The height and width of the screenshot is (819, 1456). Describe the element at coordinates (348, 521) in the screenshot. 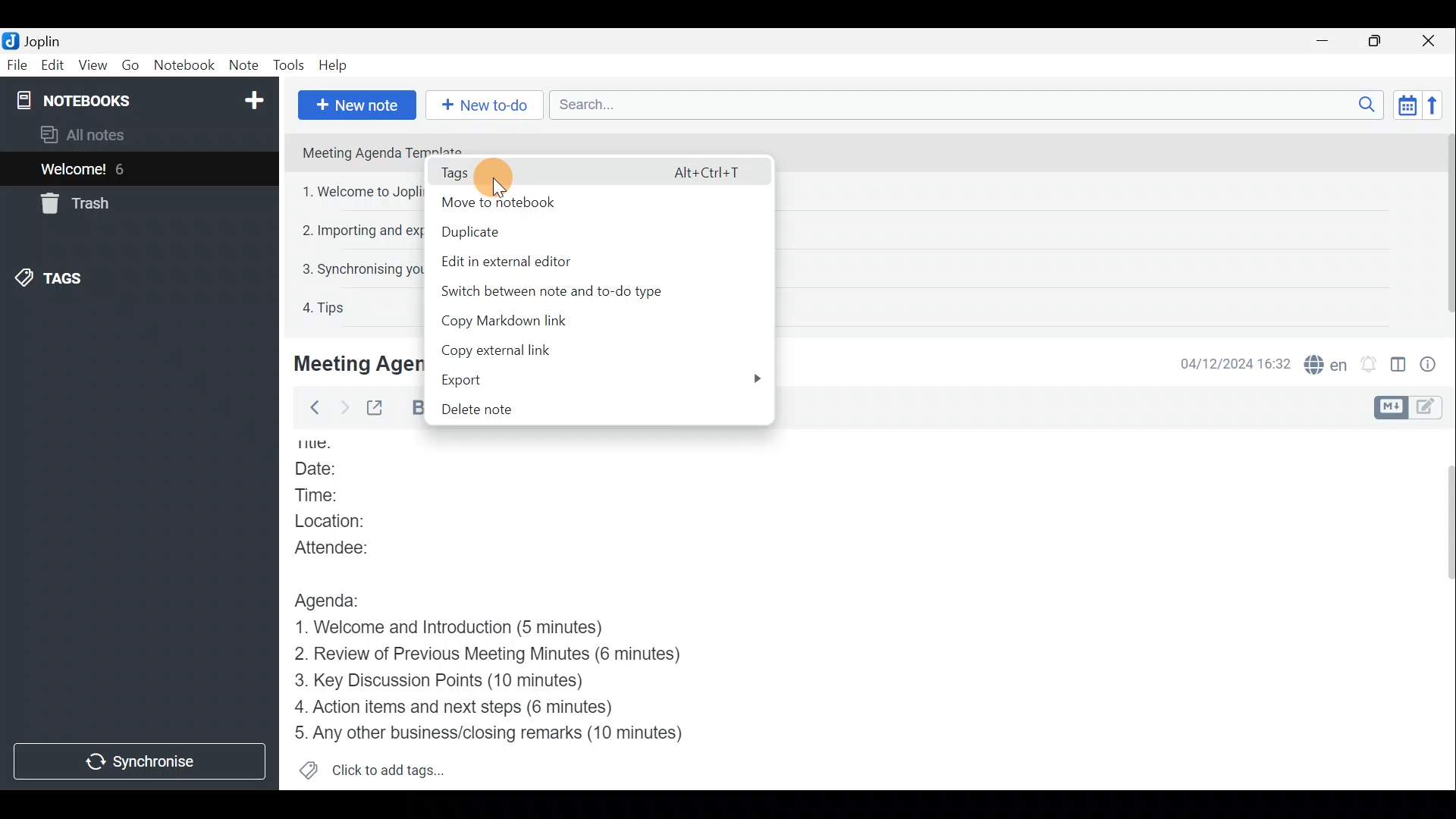

I see `Location:` at that location.